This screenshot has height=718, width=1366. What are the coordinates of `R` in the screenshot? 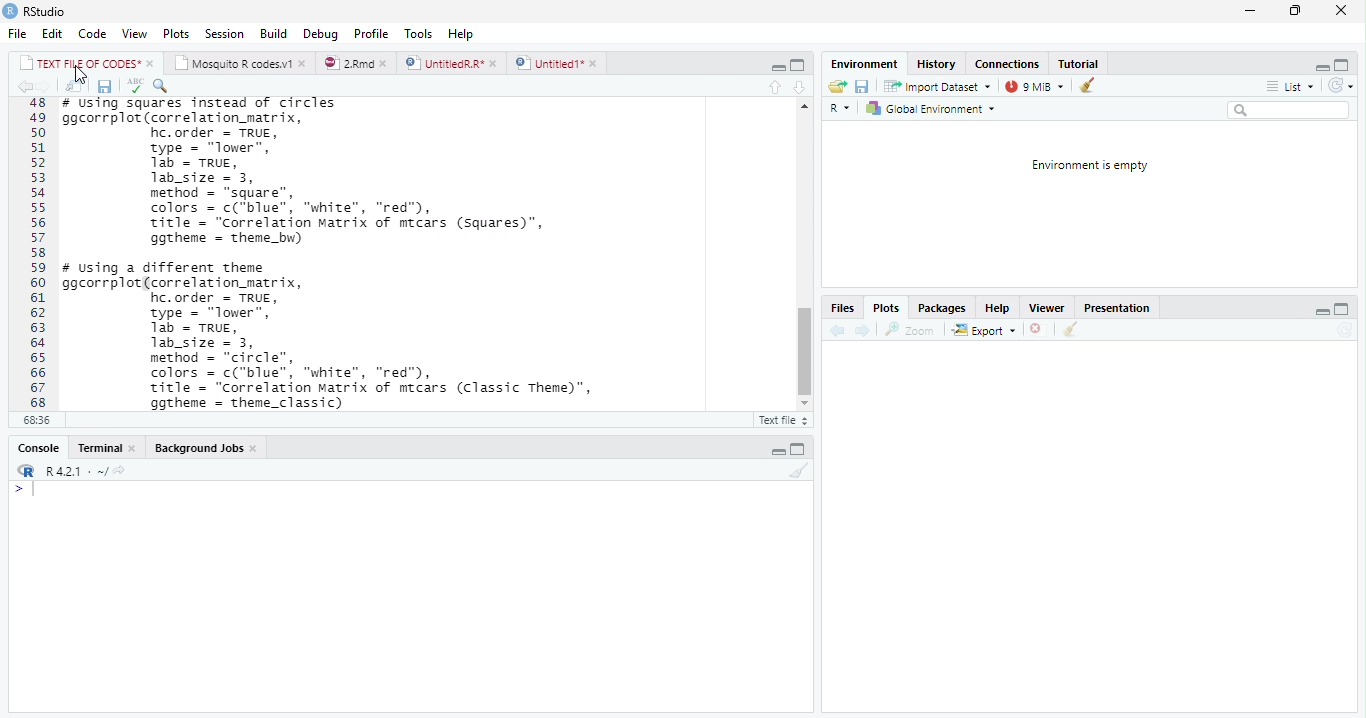 It's located at (838, 107).